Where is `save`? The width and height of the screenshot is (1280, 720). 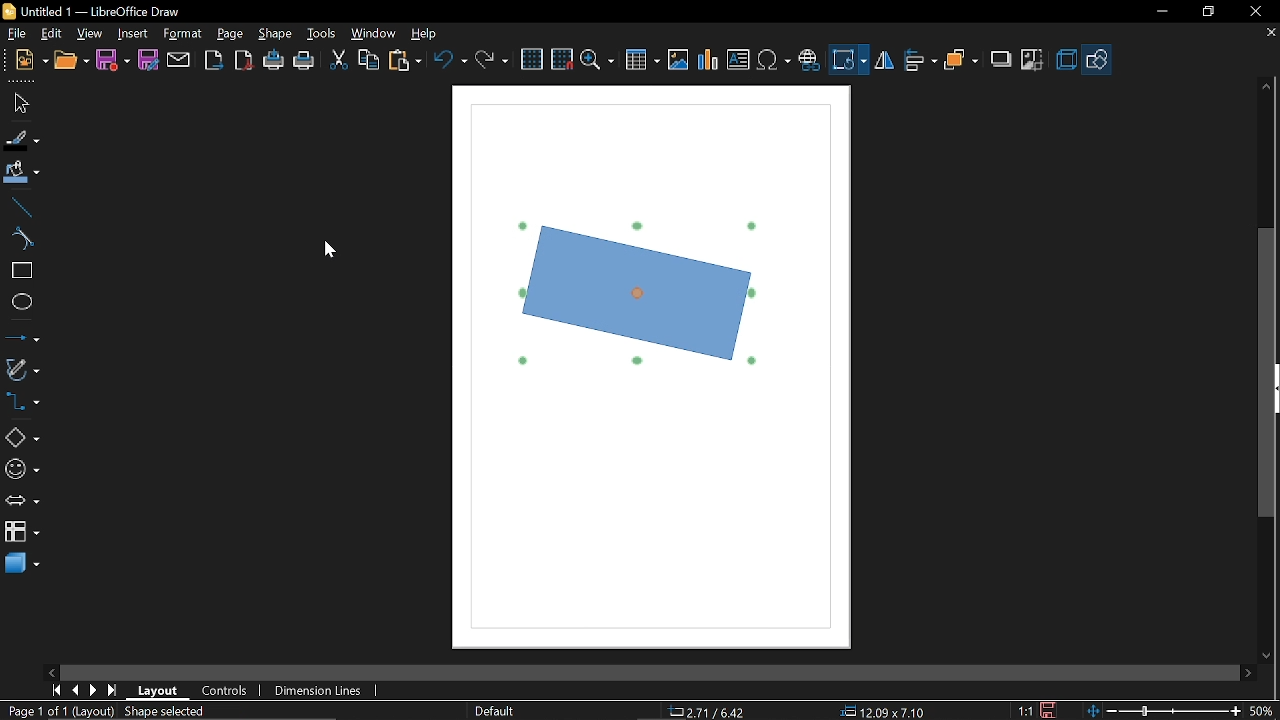
save is located at coordinates (1051, 709).